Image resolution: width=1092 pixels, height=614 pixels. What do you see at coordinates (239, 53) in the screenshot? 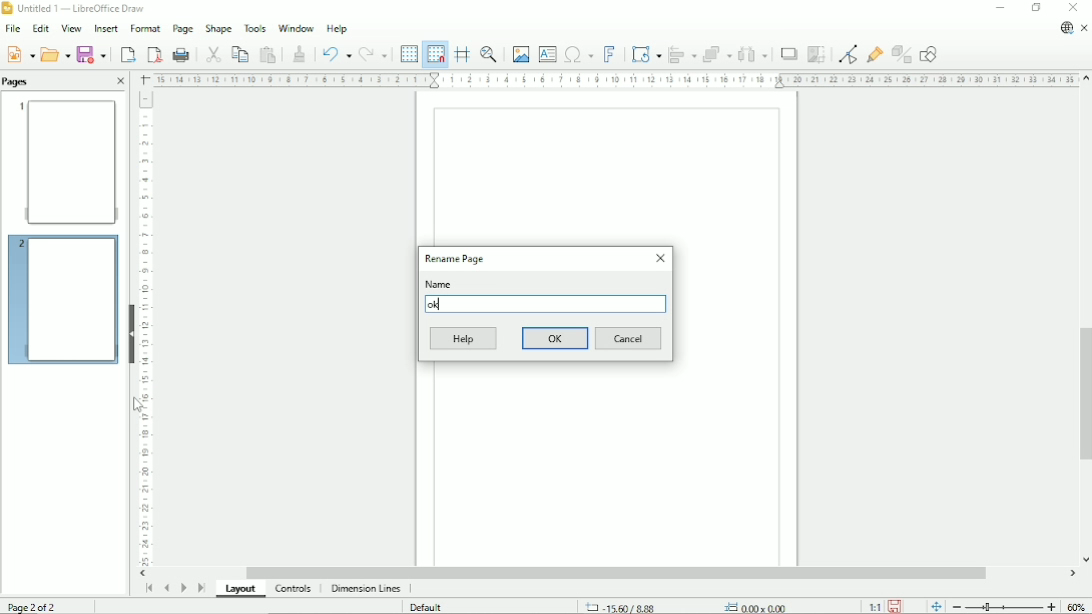
I see `Copy` at bounding box center [239, 53].